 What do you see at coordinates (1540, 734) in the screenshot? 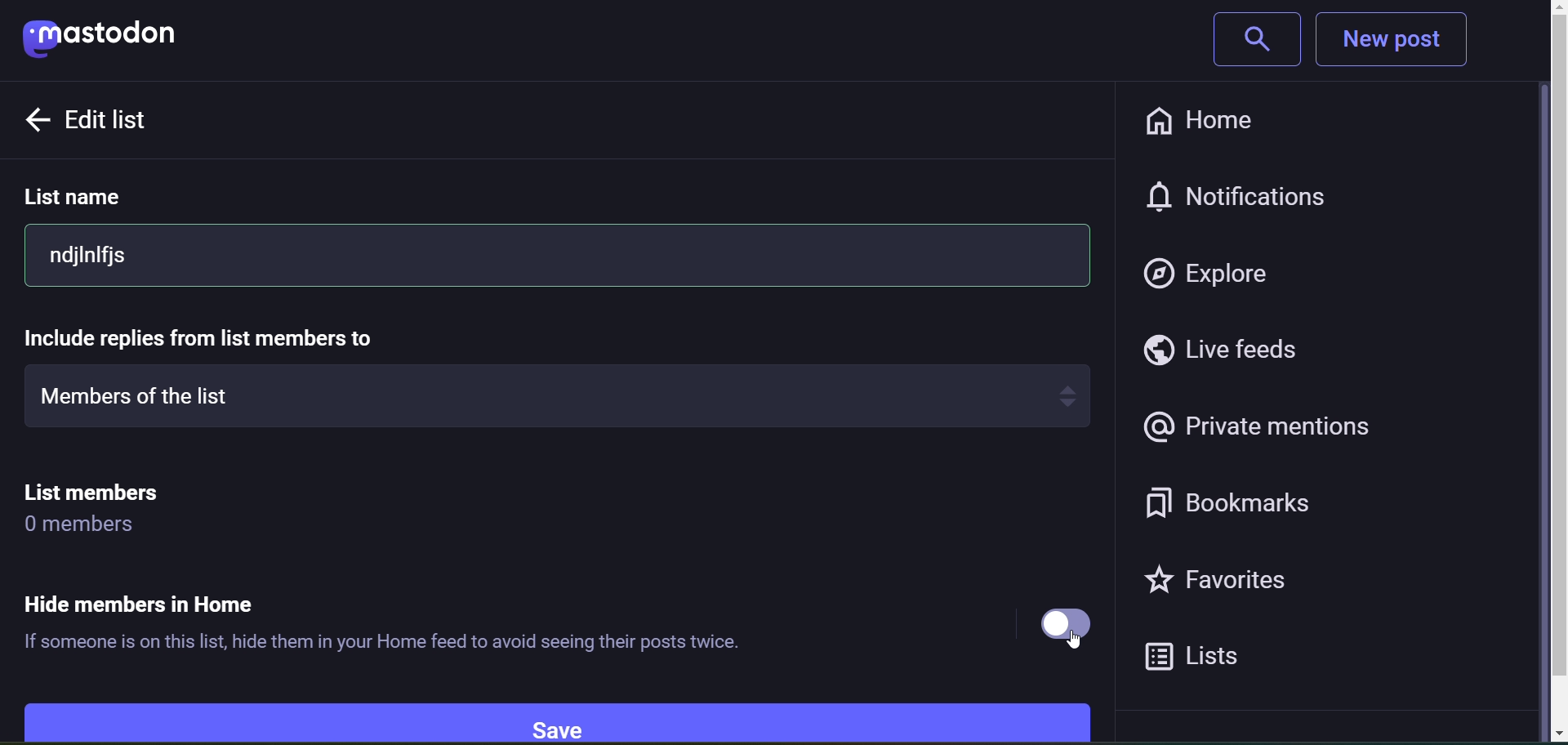
I see `scroll down` at bounding box center [1540, 734].